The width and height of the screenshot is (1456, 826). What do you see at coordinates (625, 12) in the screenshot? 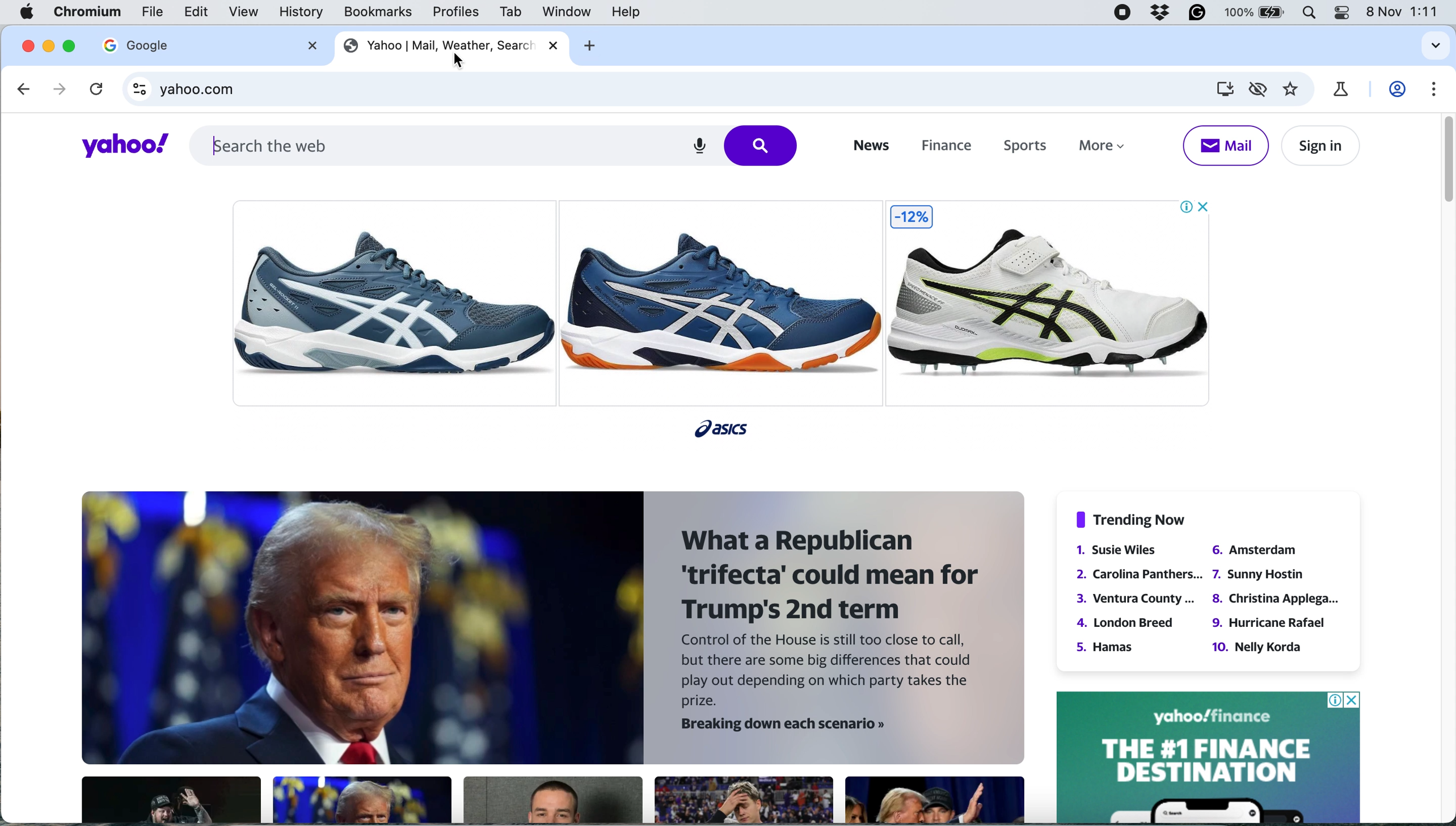
I see `help` at bounding box center [625, 12].